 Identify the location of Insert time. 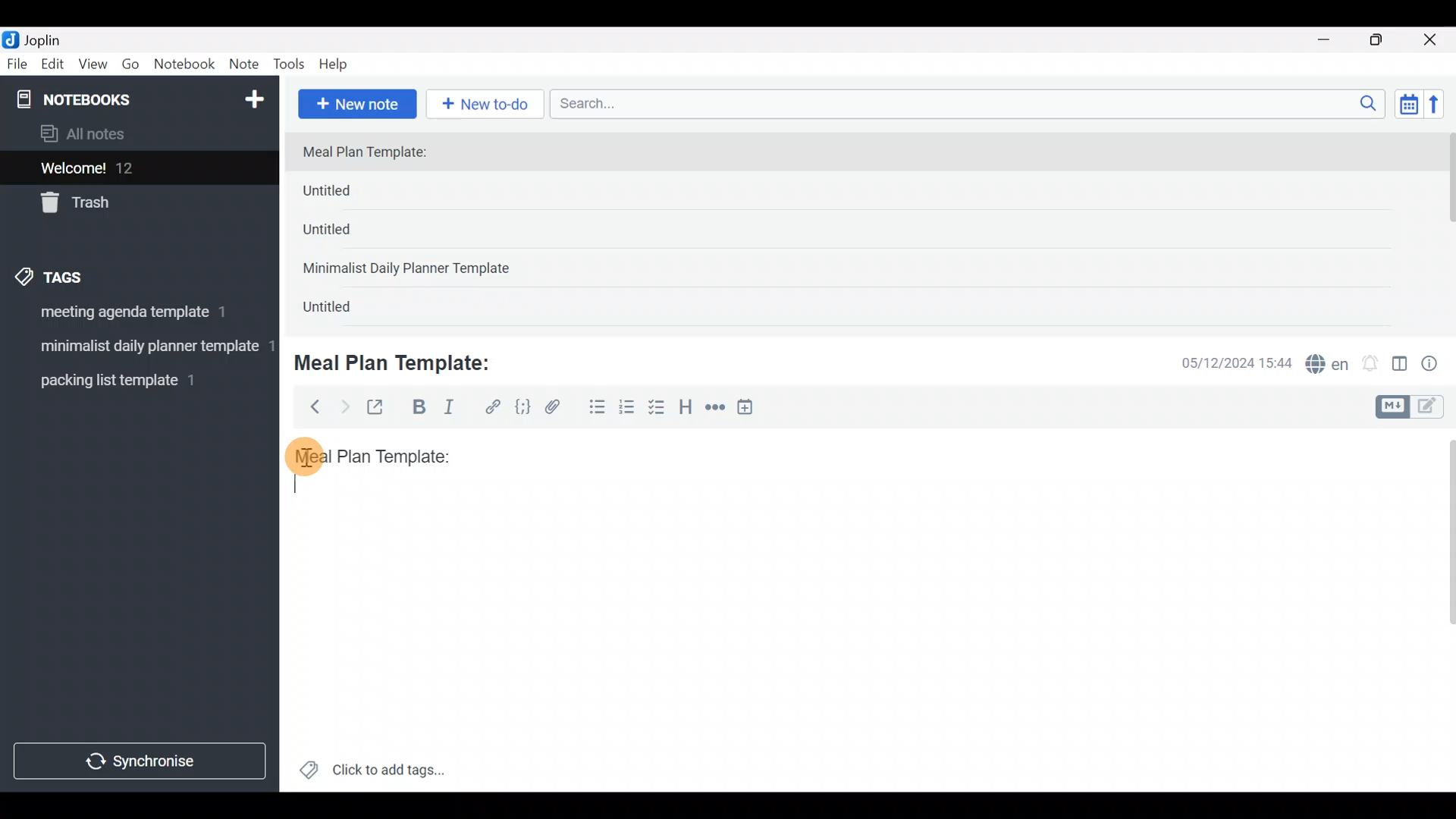
(752, 409).